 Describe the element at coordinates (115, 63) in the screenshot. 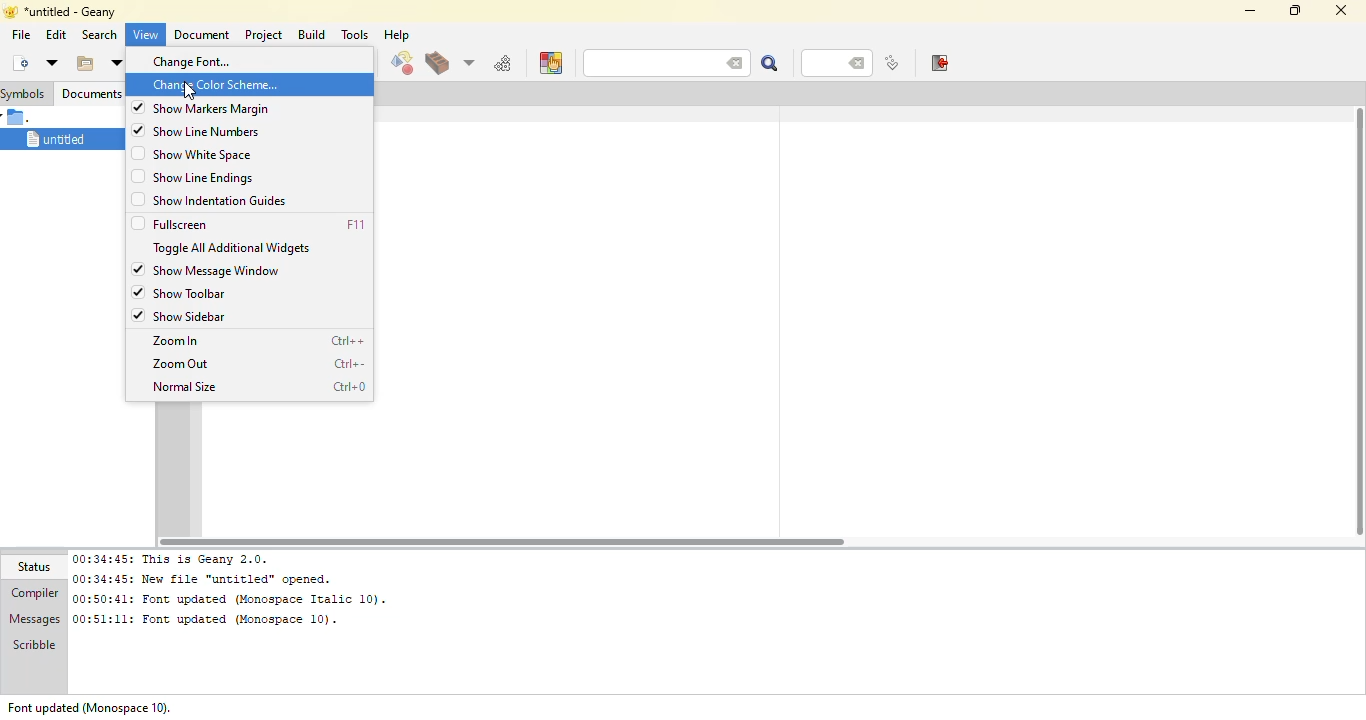

I see `open recent file` at that location.